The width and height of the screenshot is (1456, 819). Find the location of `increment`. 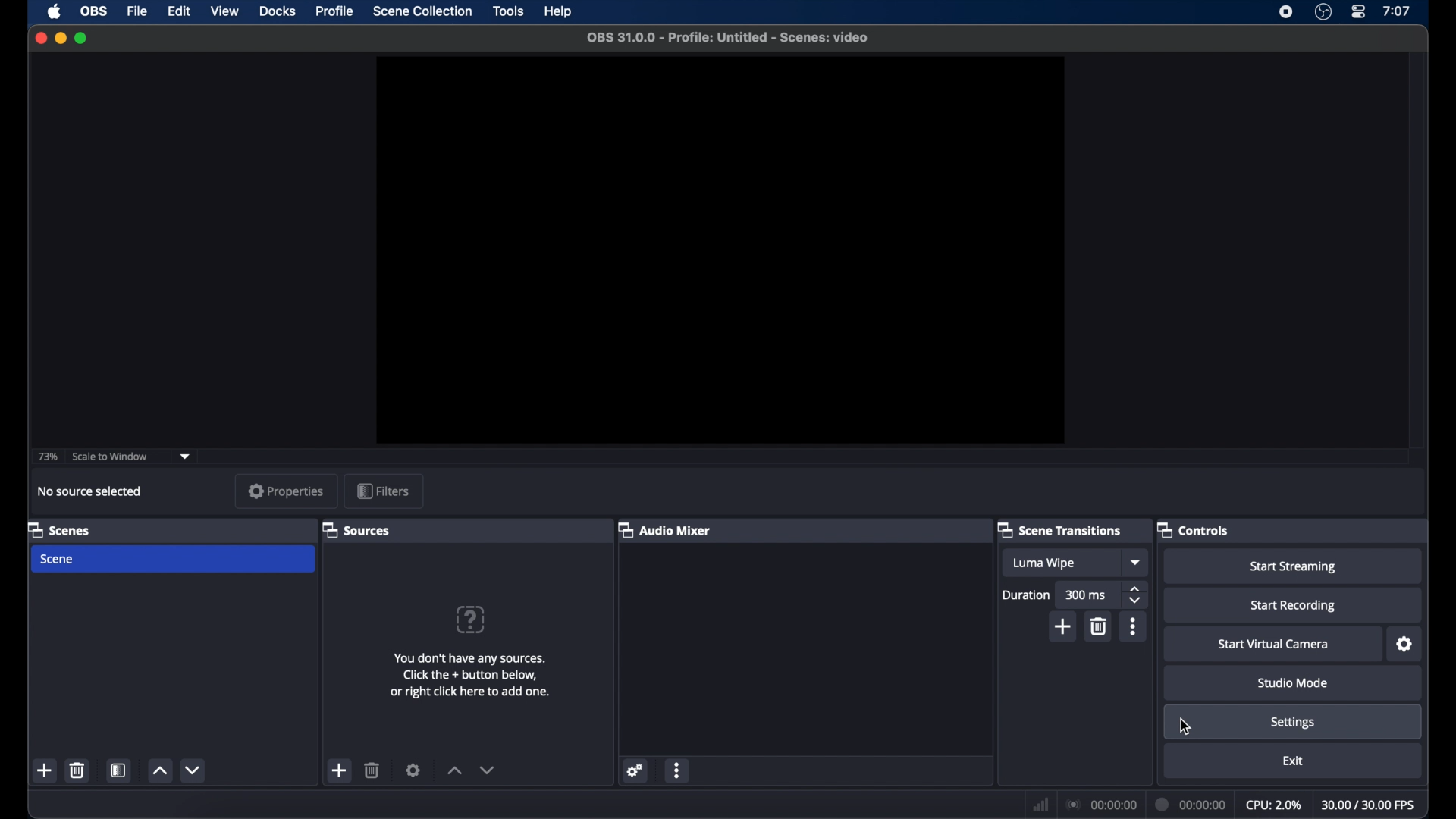

increment is located at coordinates (455, 770).